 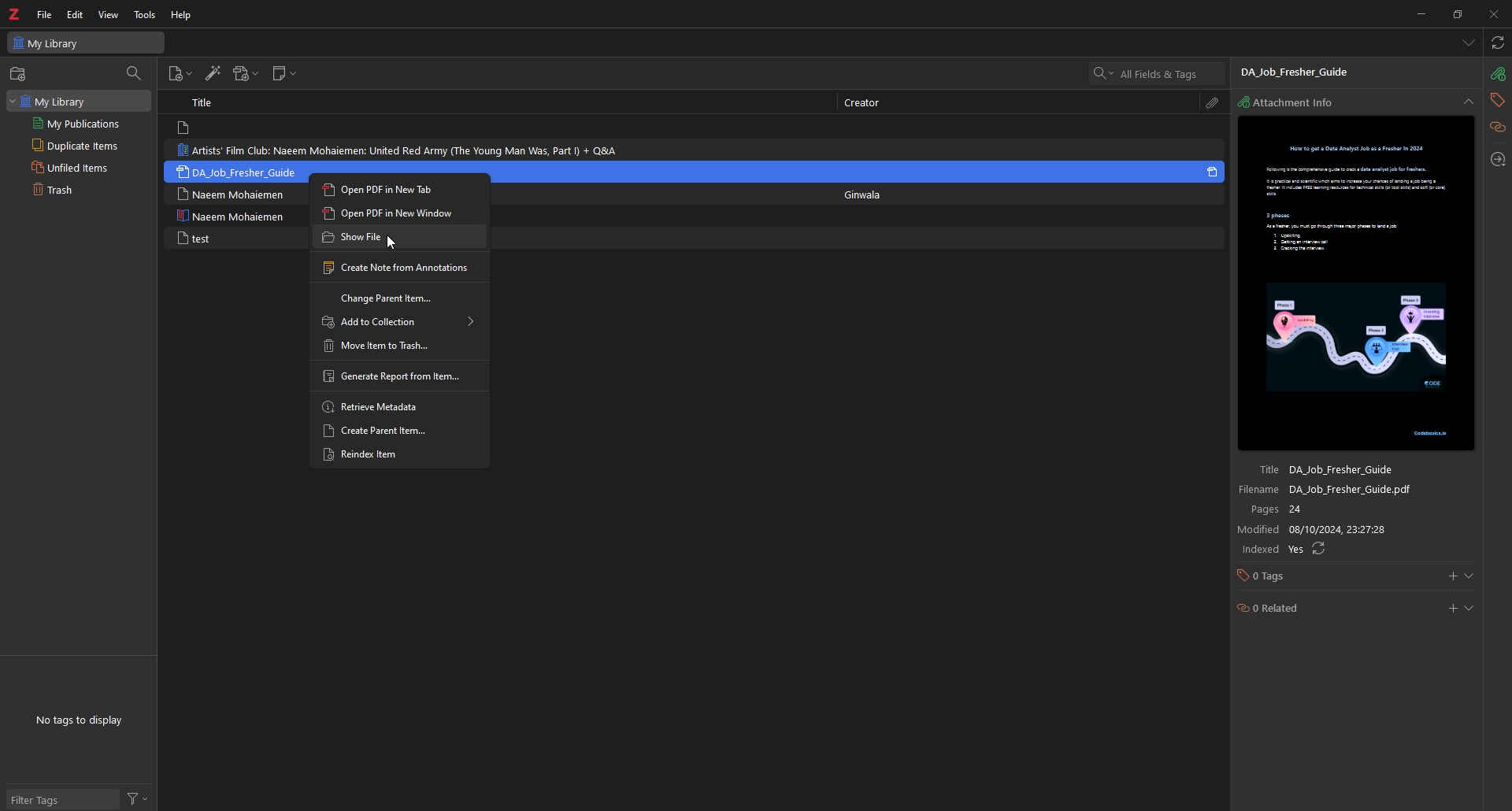 I want to click on view, so click(x=109, y=15).